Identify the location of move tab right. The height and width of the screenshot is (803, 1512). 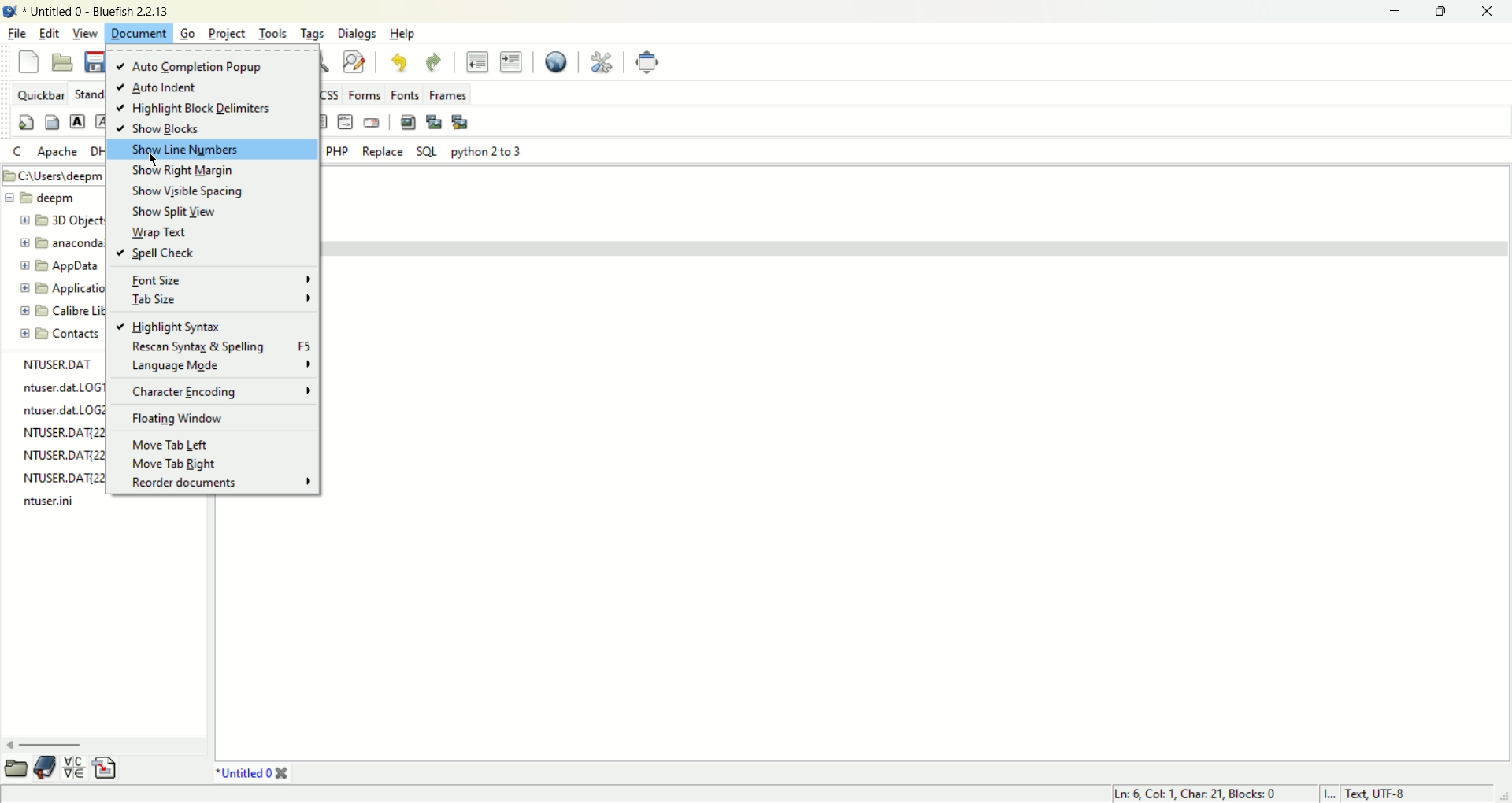
(174, 465).